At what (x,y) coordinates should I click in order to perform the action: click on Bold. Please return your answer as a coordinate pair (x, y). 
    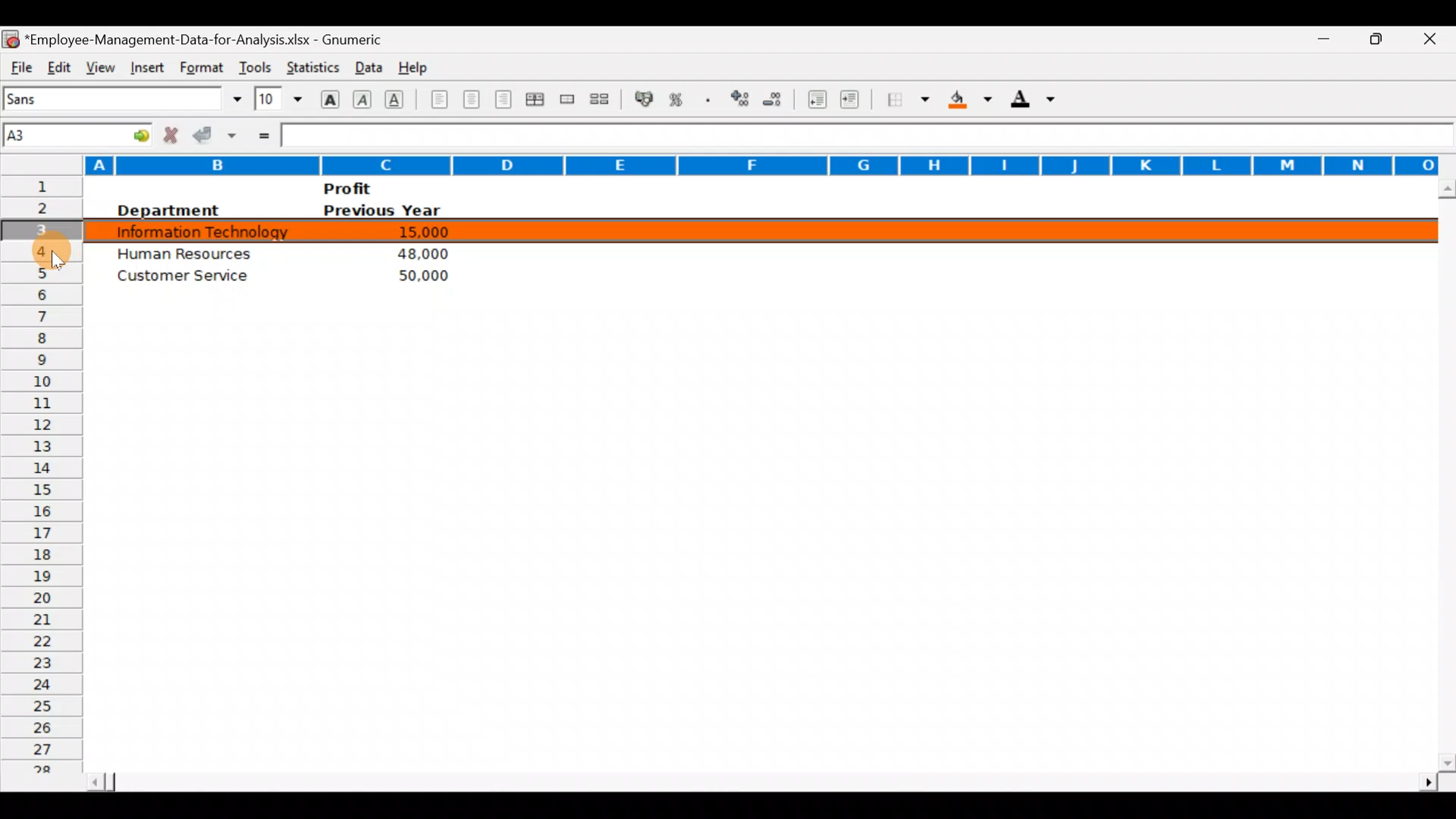
    Looking at the image, I should click on (328, 98).